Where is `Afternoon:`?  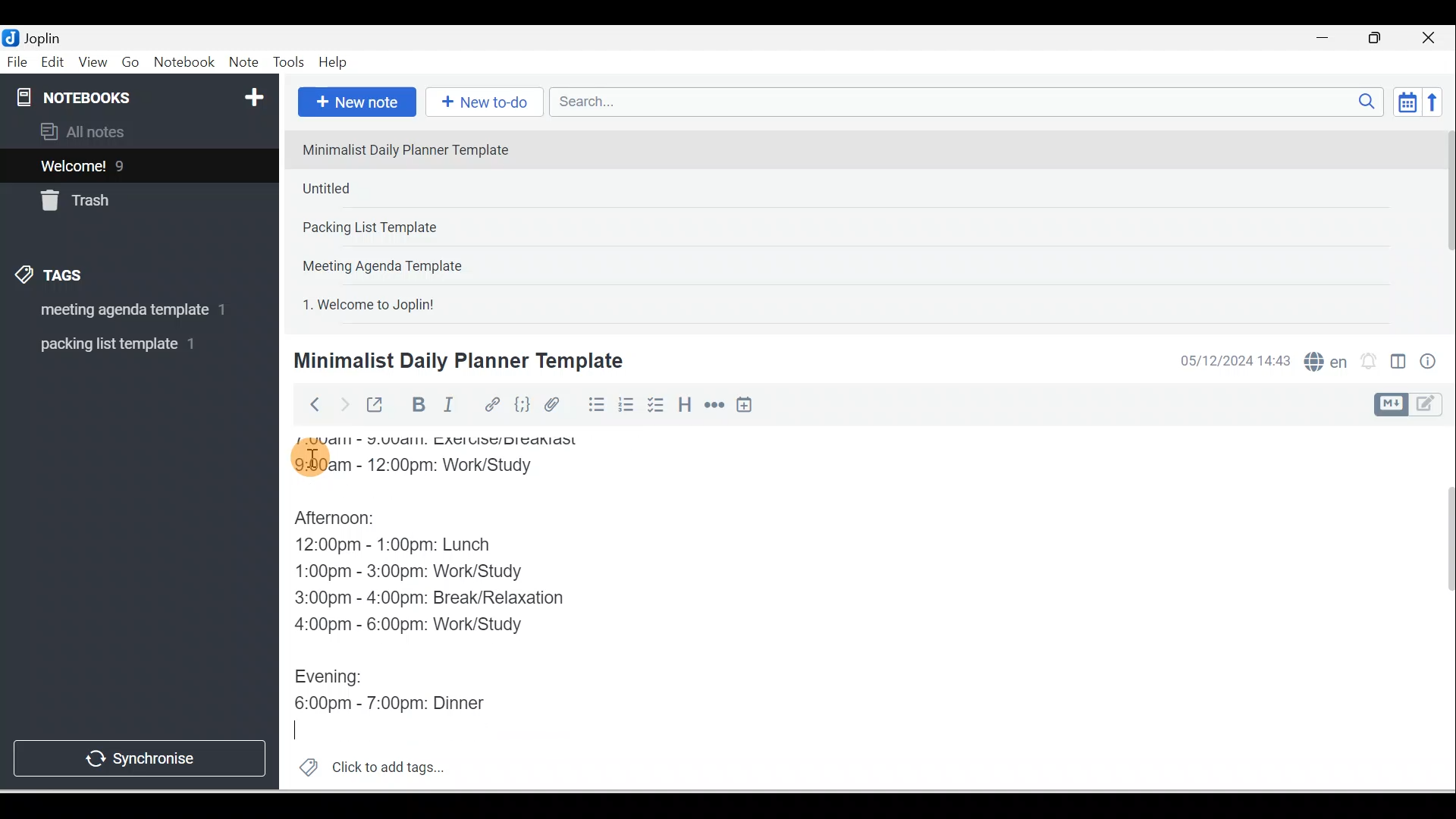 Afternoon: is located at coordinates (349, 521).